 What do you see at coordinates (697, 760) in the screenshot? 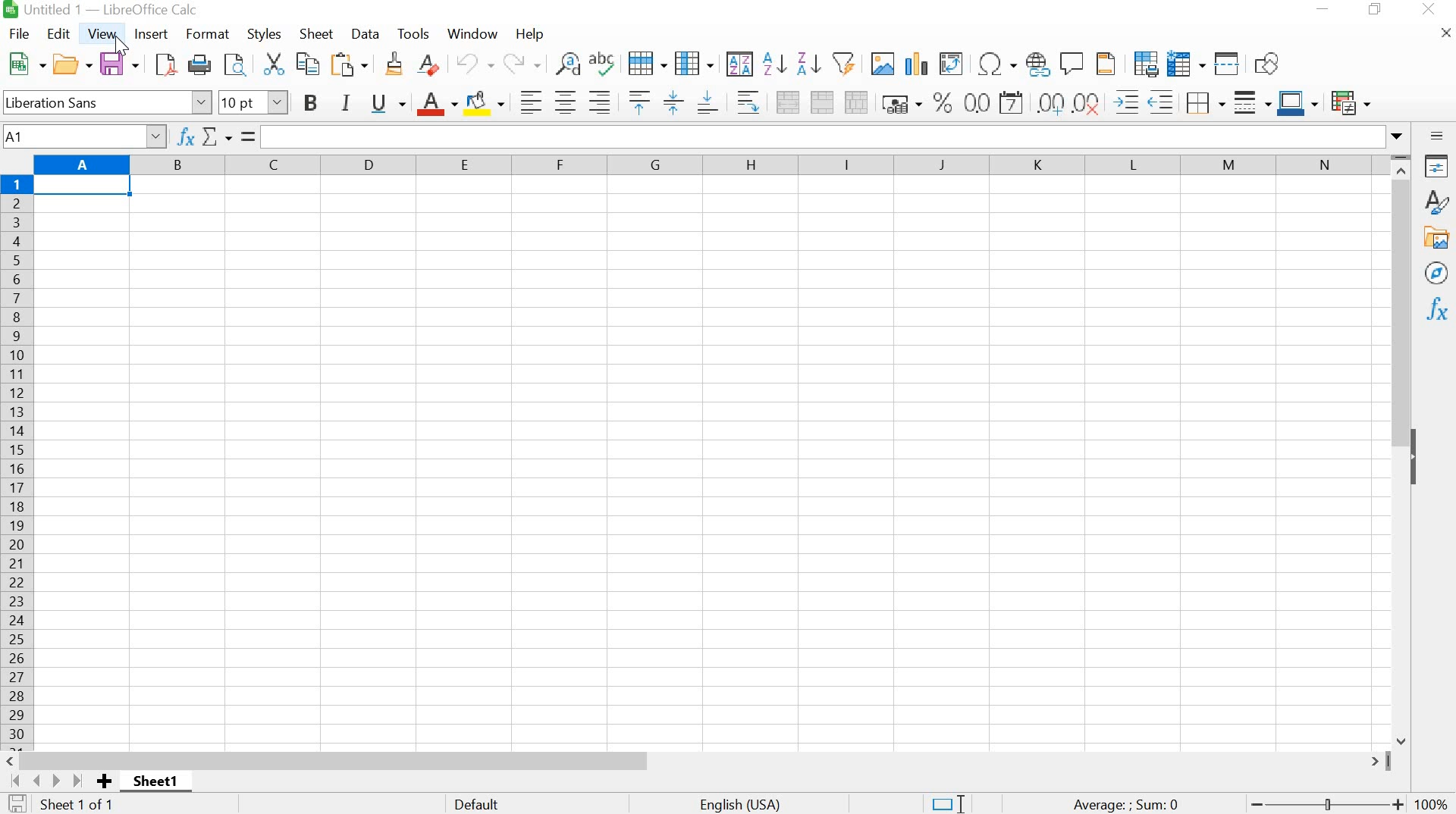
I see `SCROLLBAR` at bounding box center [697, 760].